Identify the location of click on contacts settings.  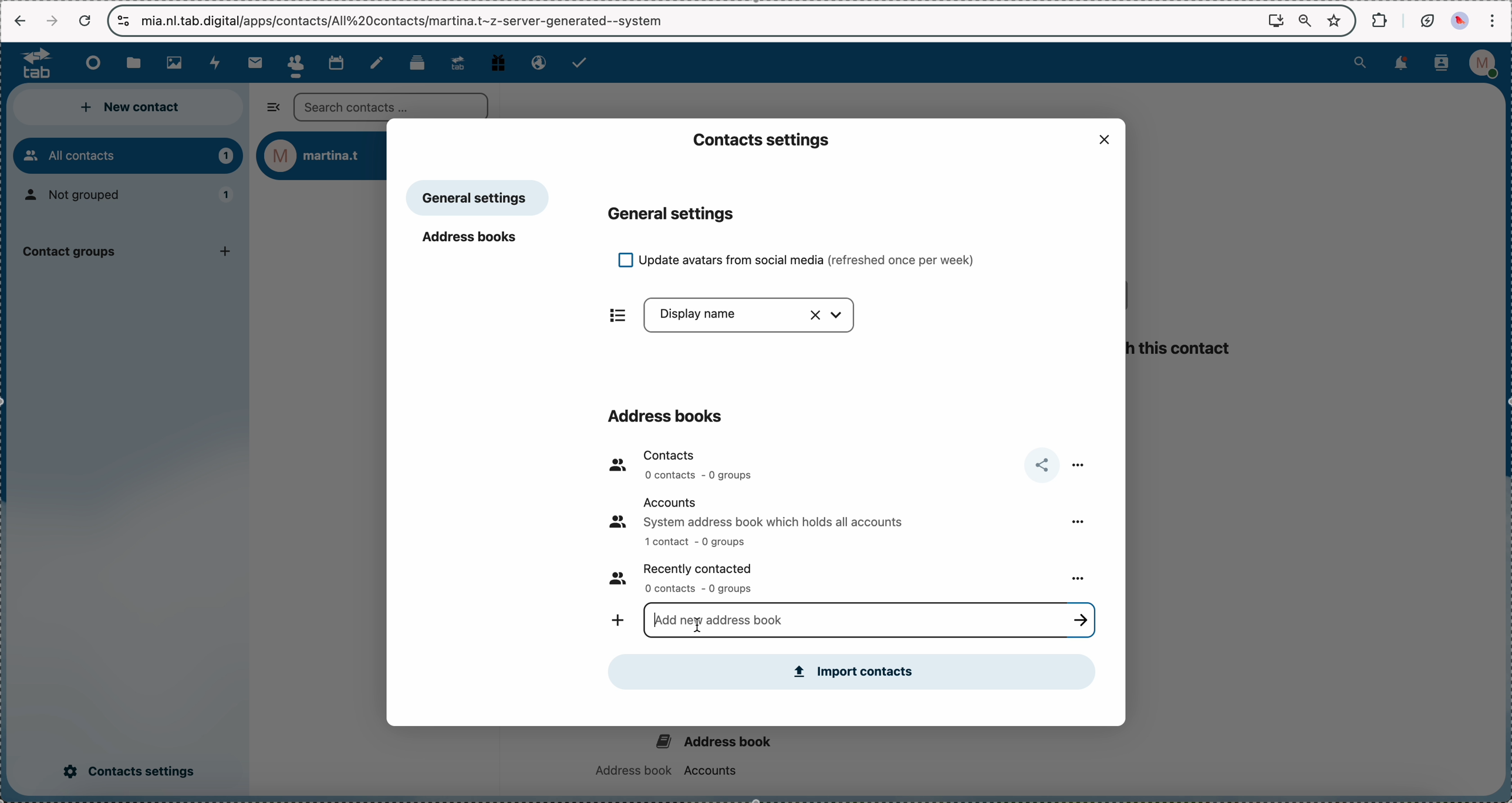
(129, 772).